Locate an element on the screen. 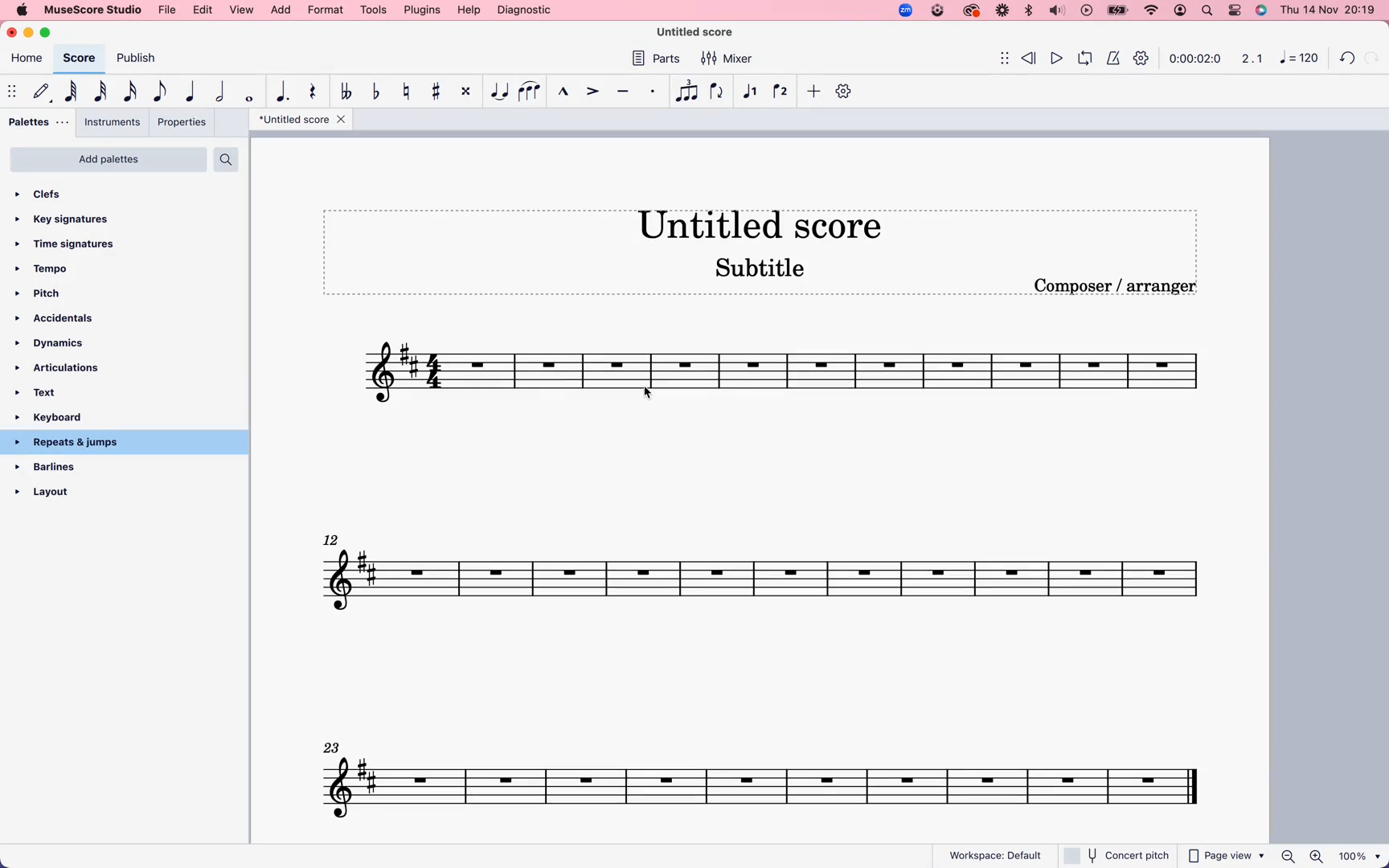 The width and height of the screenshot is (1389, 868). tie is located at coordinates (499, 92).